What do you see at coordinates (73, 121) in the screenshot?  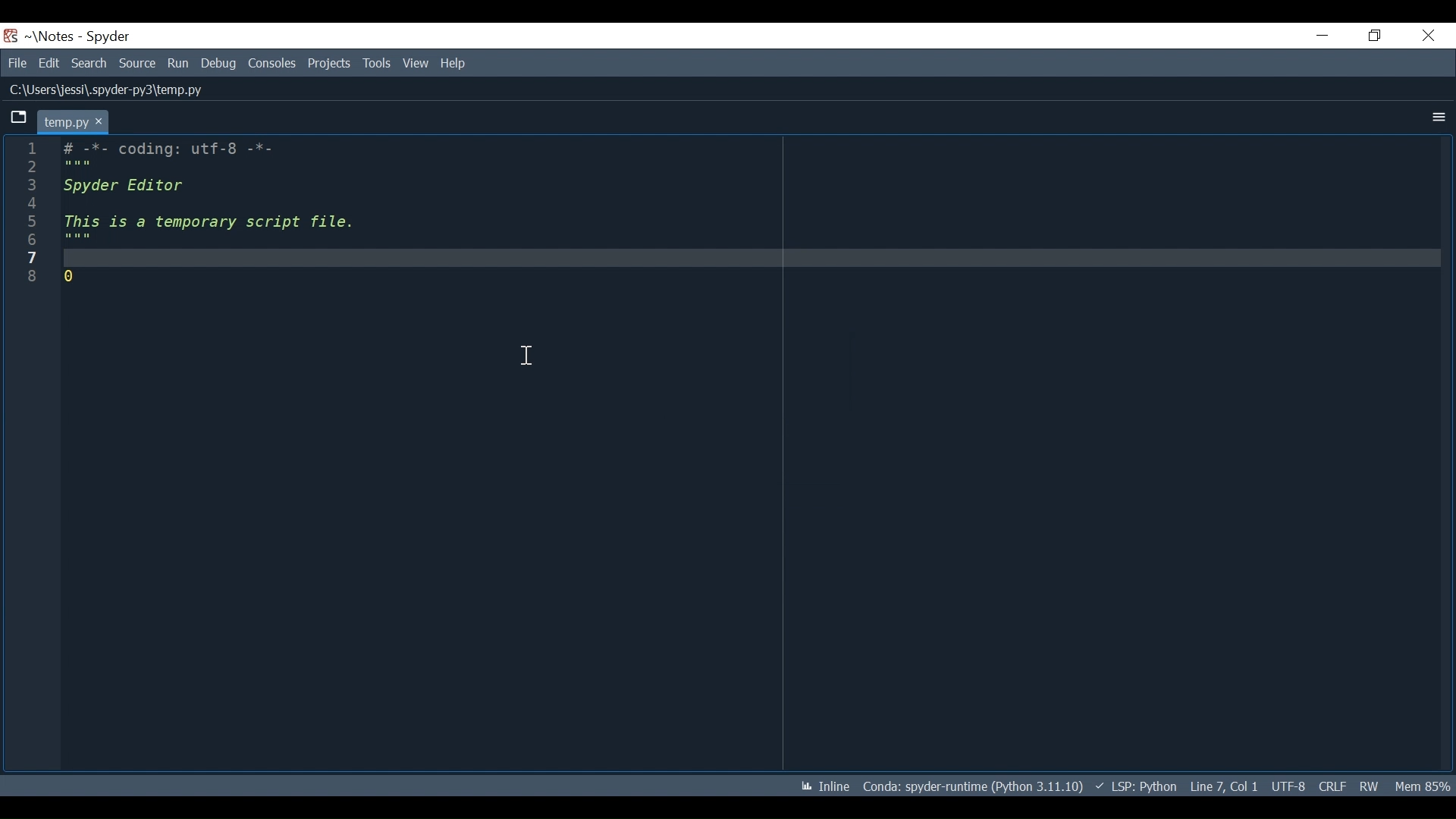 I see `temp.py` at bounding box center [73, 121].